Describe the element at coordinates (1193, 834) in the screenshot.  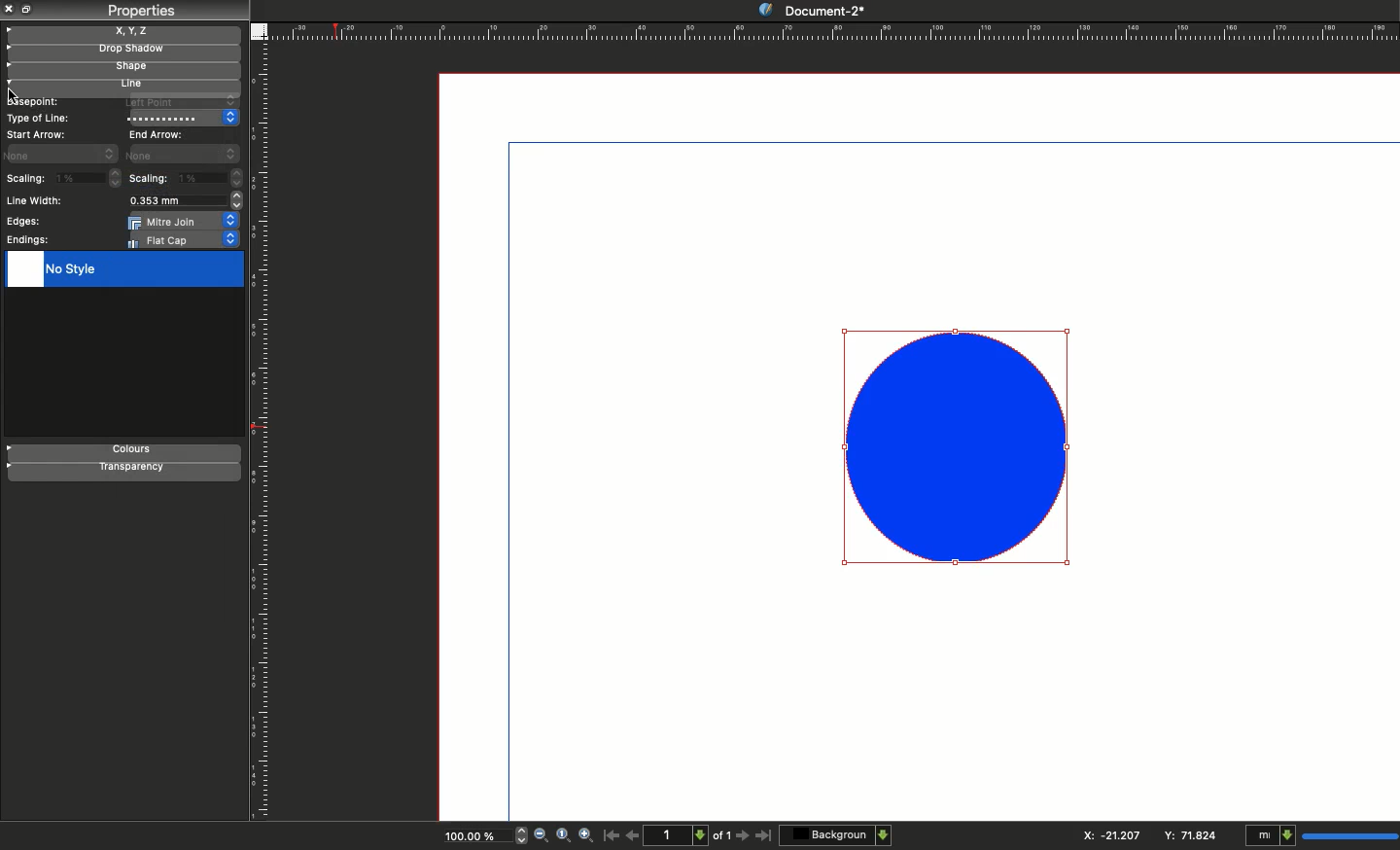
I see `Y: 84.706` at that location.